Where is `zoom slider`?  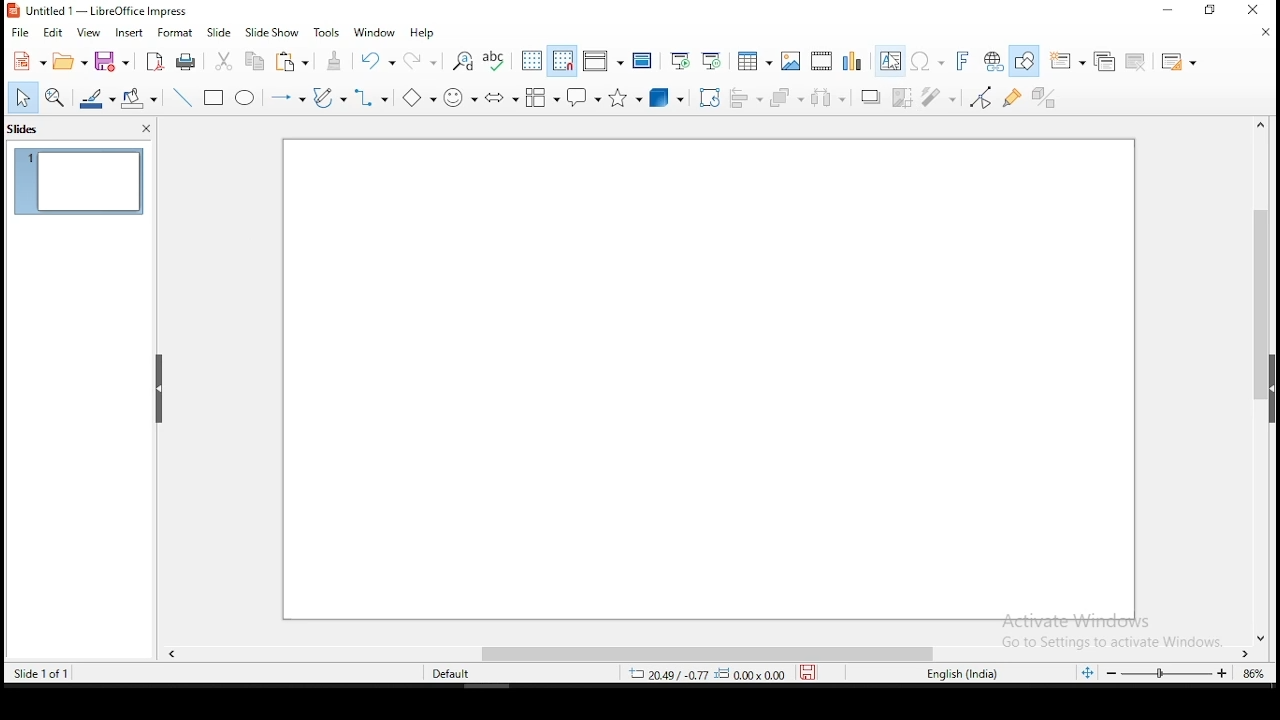 zoom slider is located at coordinates (1167, 673).